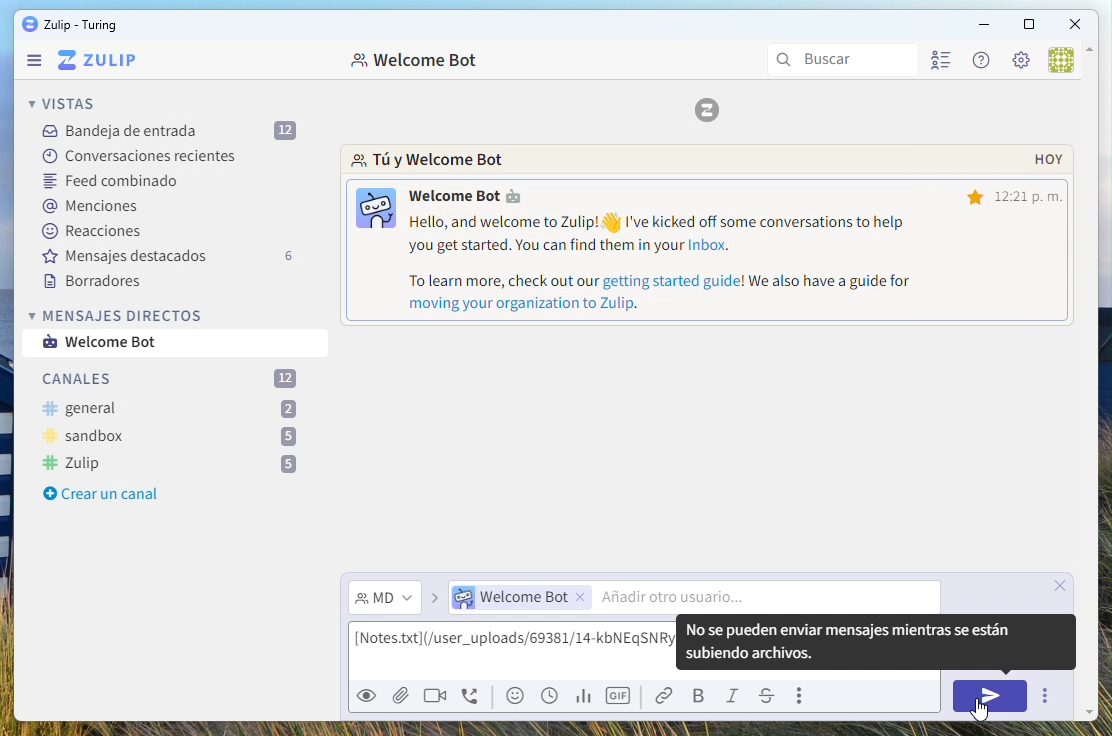  Describe the element at coordinates (399, 694) in the screenshot. I see `attachment` at that location.